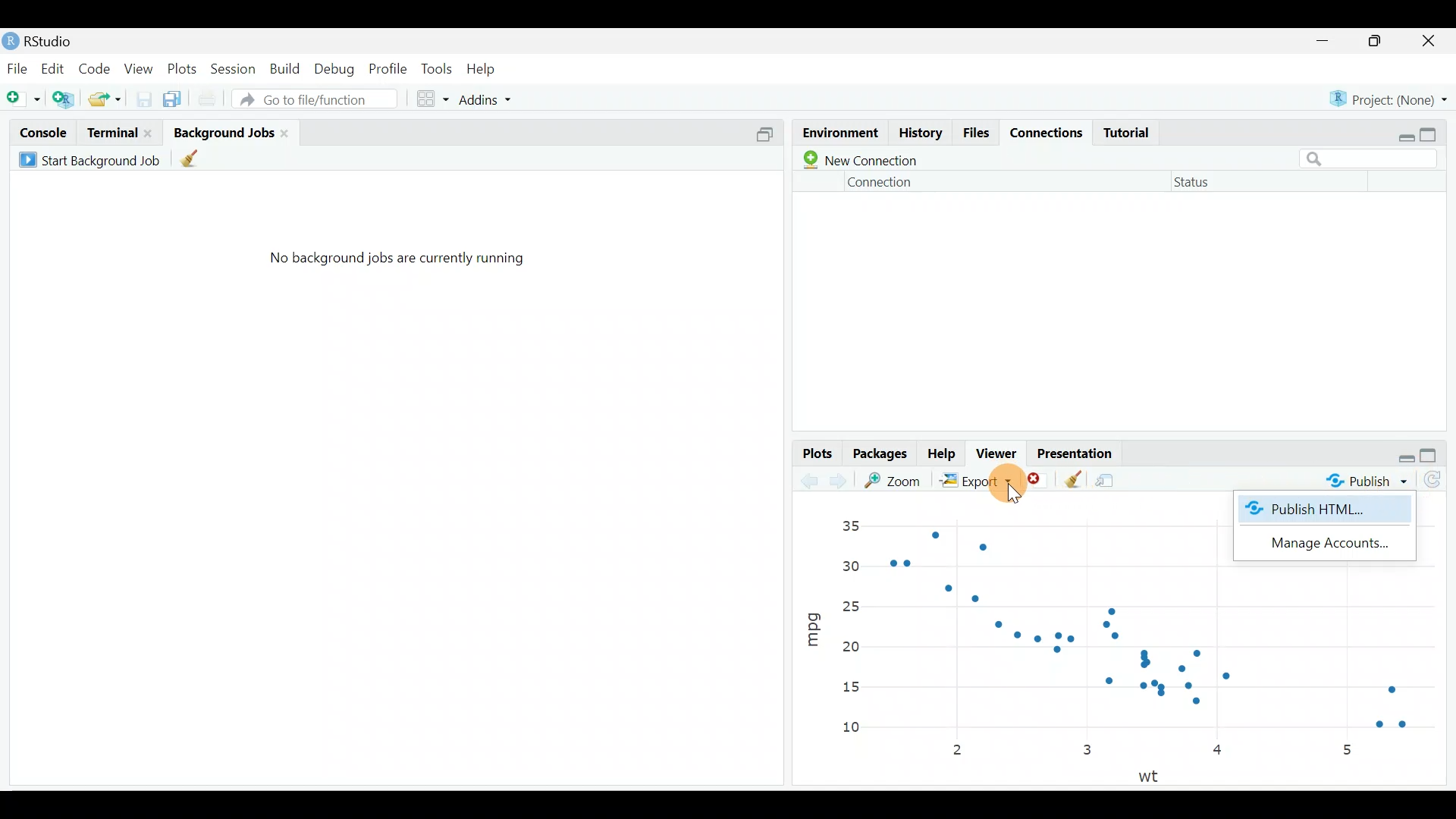 Image resolution: width=1456 pixels, height=819 pixels. I want to click on Close, so click(1430, 42).